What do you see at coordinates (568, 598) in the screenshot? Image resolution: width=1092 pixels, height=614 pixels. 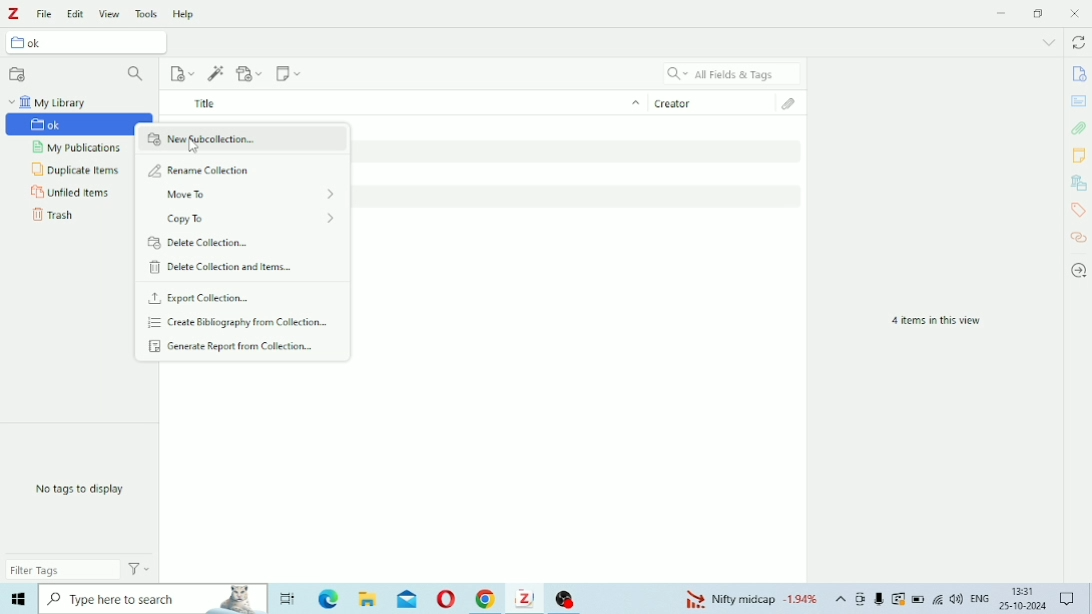 I see `OBS Studio` at bounding box center [568, 598].